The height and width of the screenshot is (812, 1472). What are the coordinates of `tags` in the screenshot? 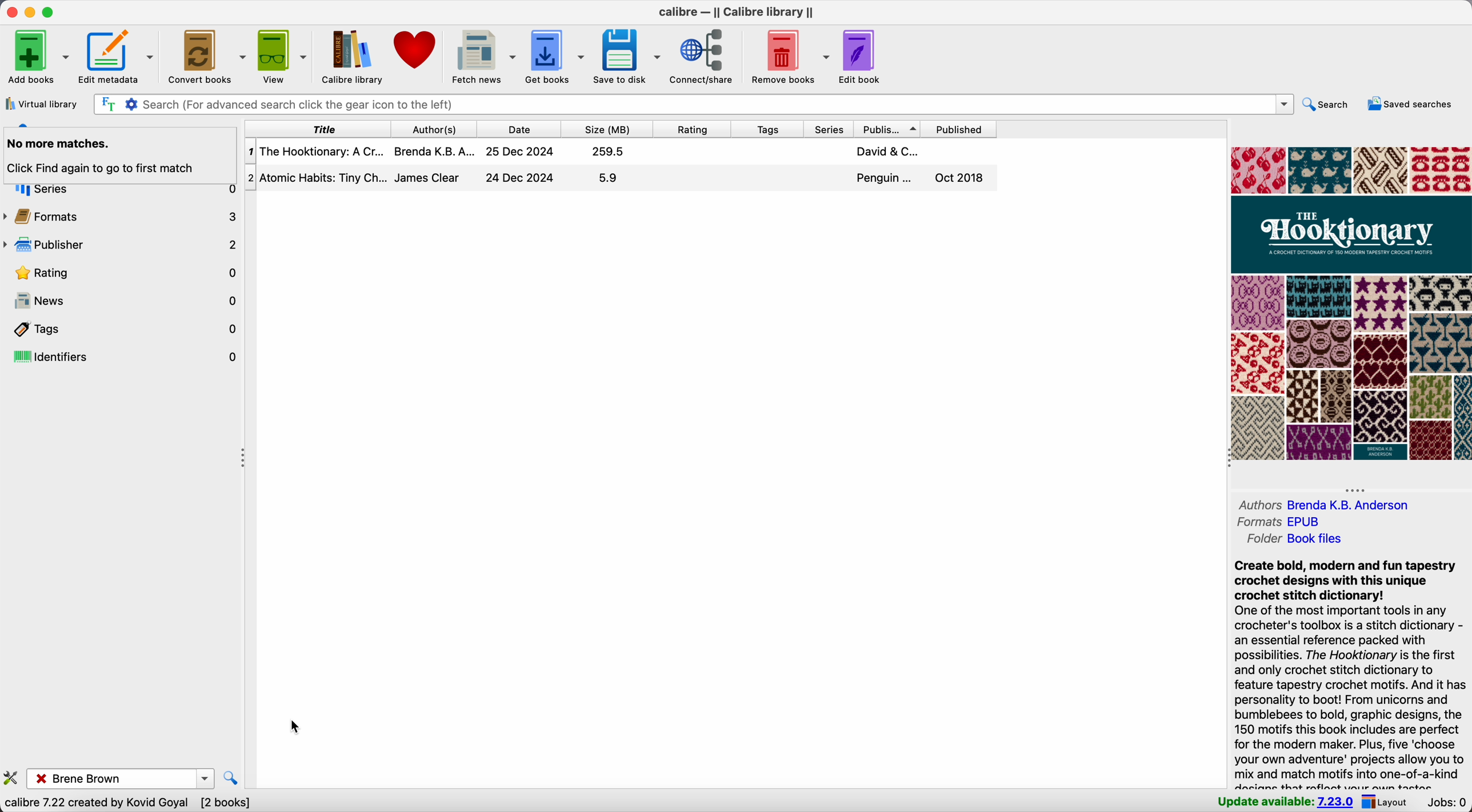 It's located at (772, 129).